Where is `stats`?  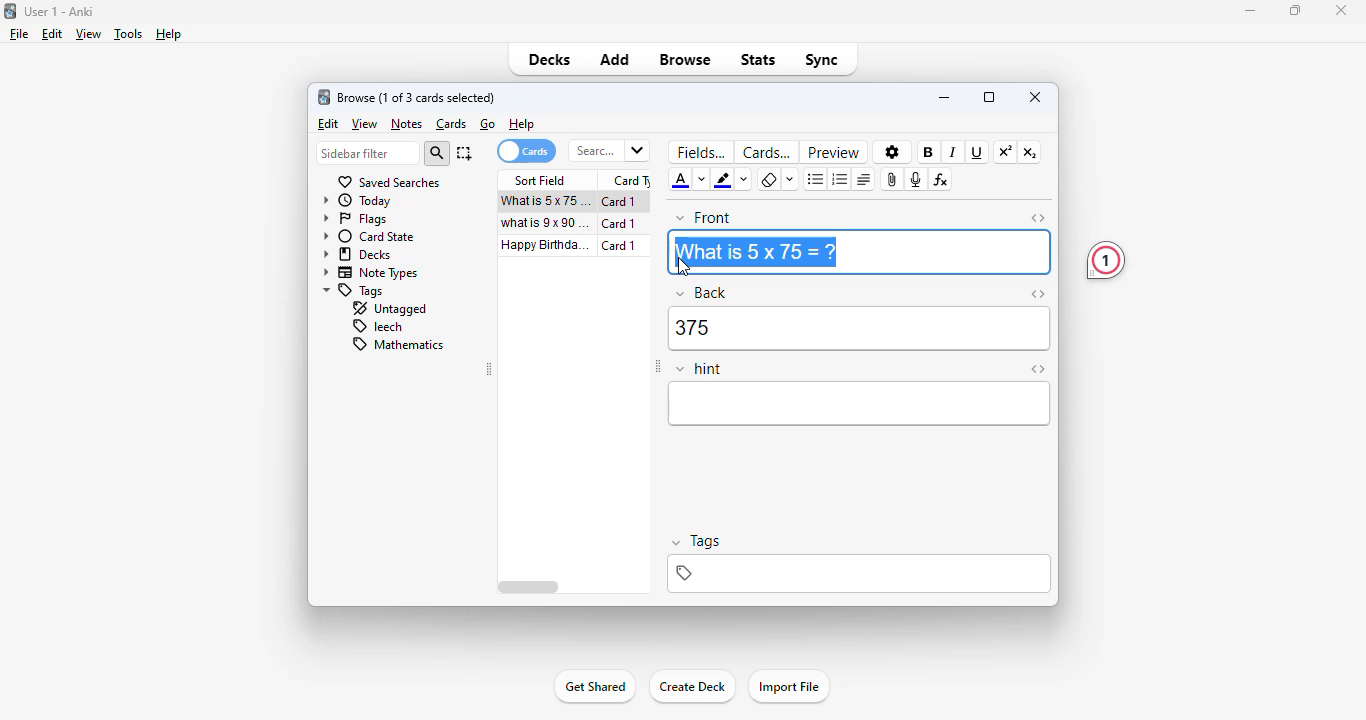
stats is located at coordinates (758, 61).